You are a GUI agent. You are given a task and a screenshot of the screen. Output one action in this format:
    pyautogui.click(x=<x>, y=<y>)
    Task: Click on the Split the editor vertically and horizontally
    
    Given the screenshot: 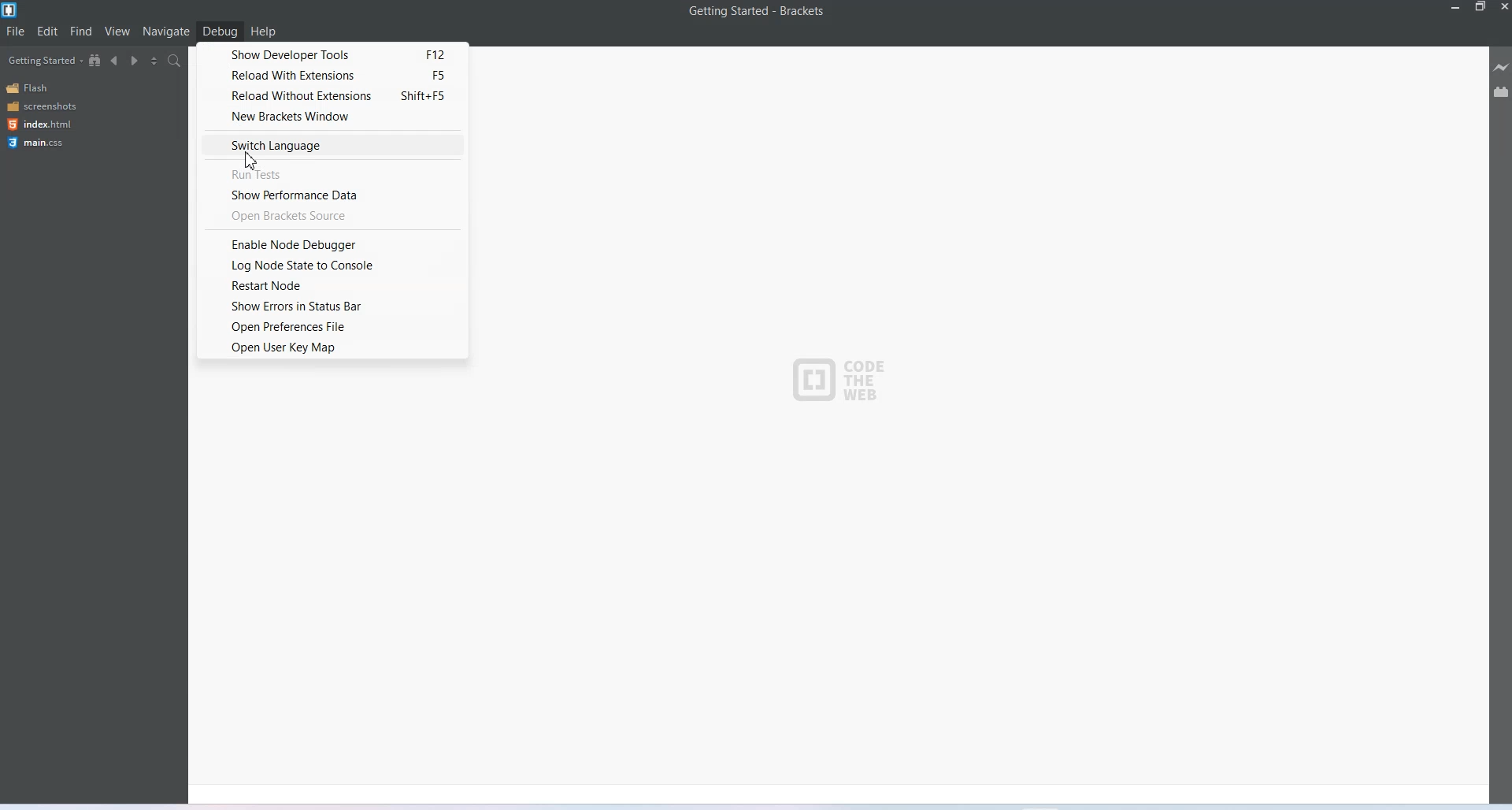 What is the action you would take?
    pyautogui.click(x=154, y=61)
    